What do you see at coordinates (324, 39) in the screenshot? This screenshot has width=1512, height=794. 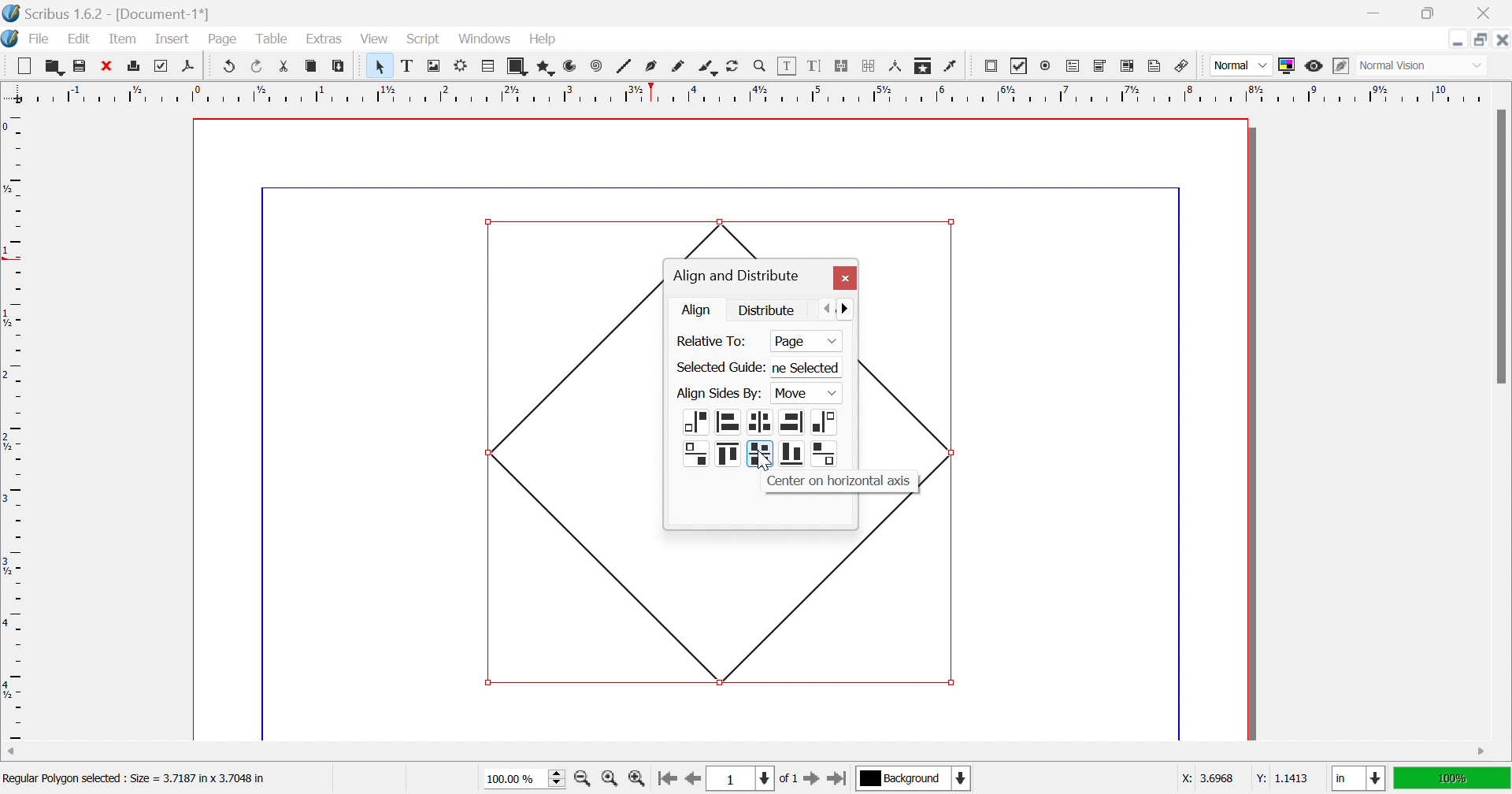 I see `Extras` at bounding box center [324, 39].